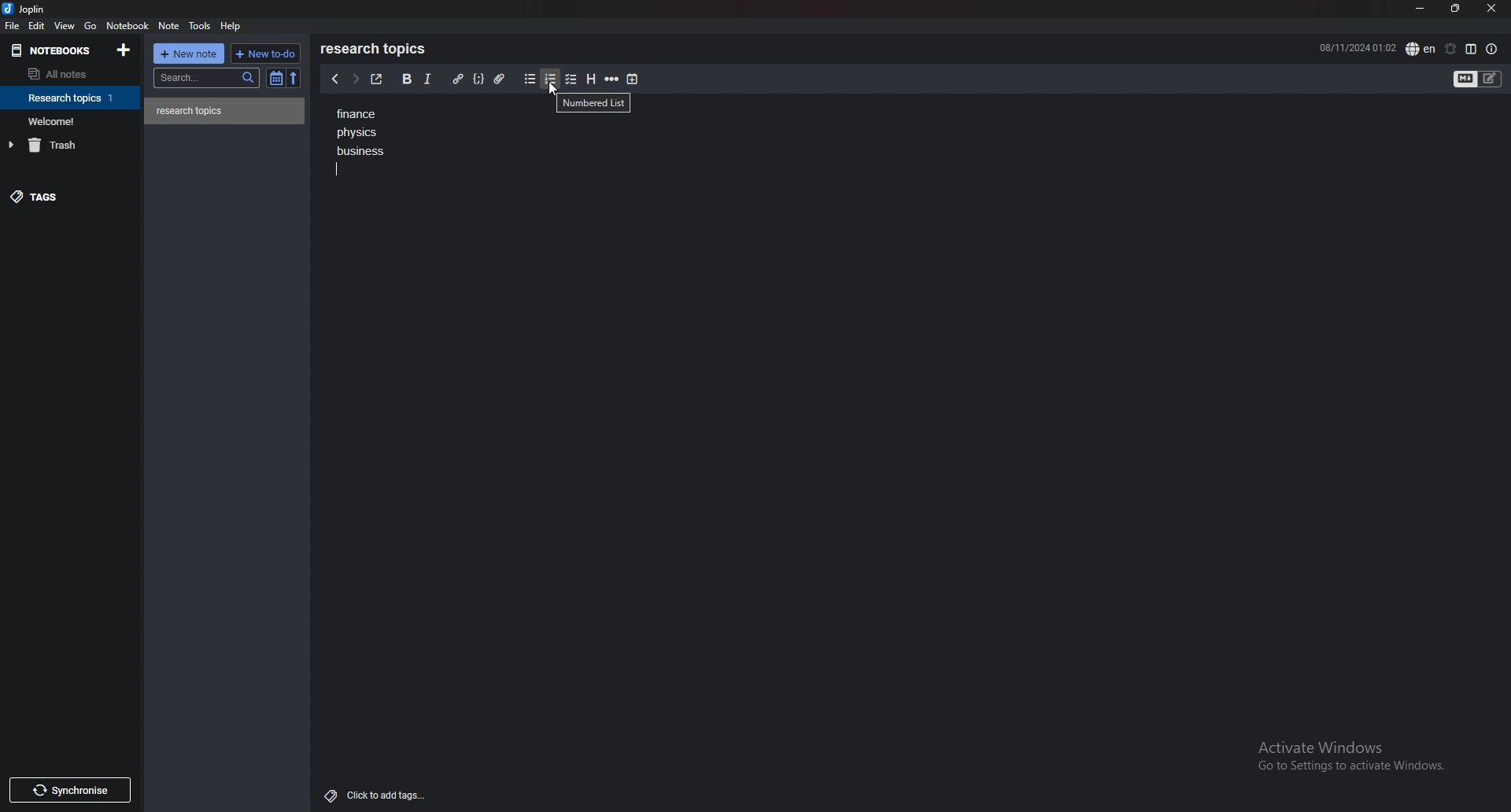 Image resolution: width=1511 pixels, height=812 pixels. I want to click on spell check, so click(1420, 48).